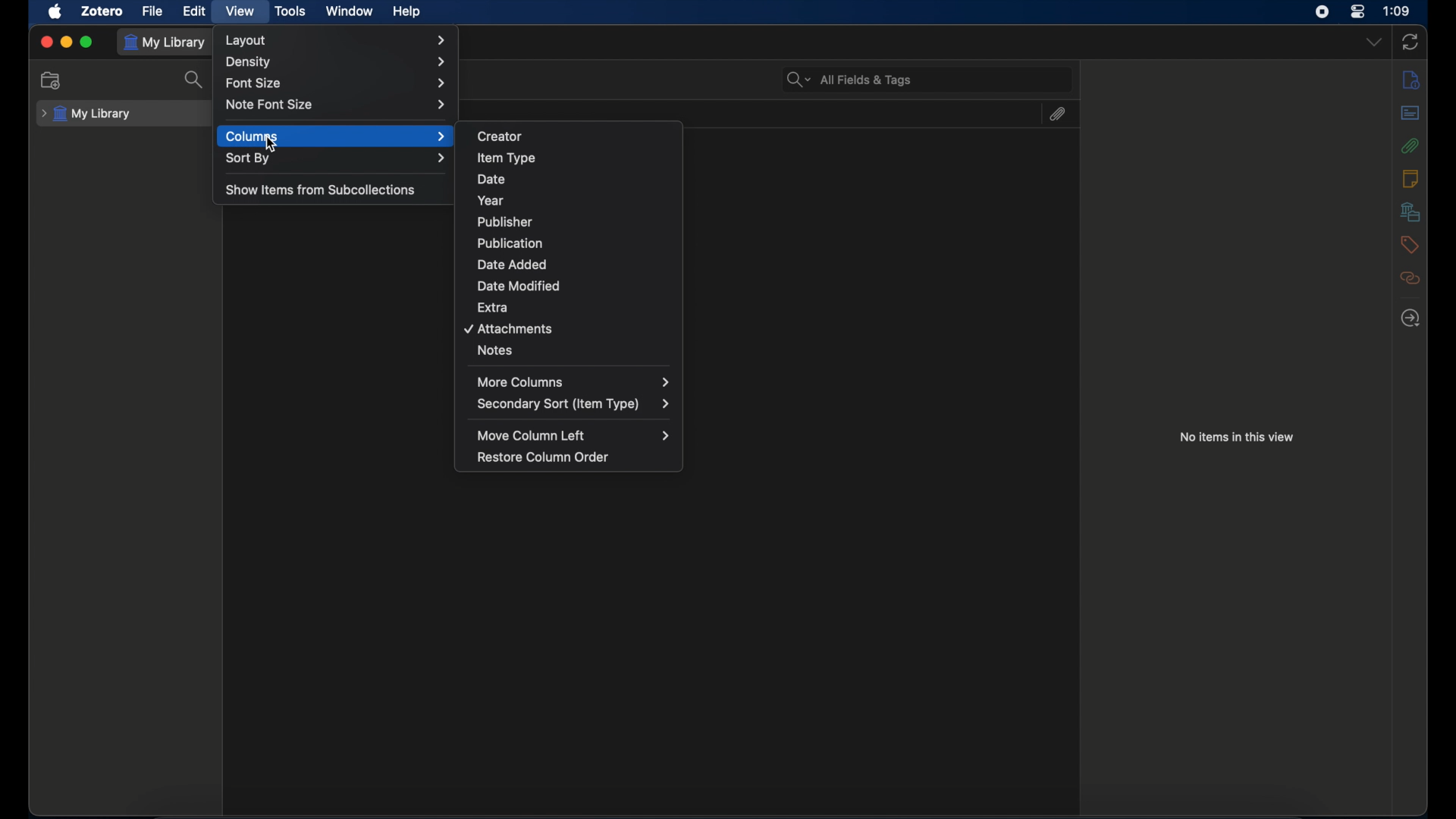 The image size is (1456, 819). What do you see at coordinates (322, 190) in the screenshot?
I see `show items from subcollections` at bounding box center [322, 190].